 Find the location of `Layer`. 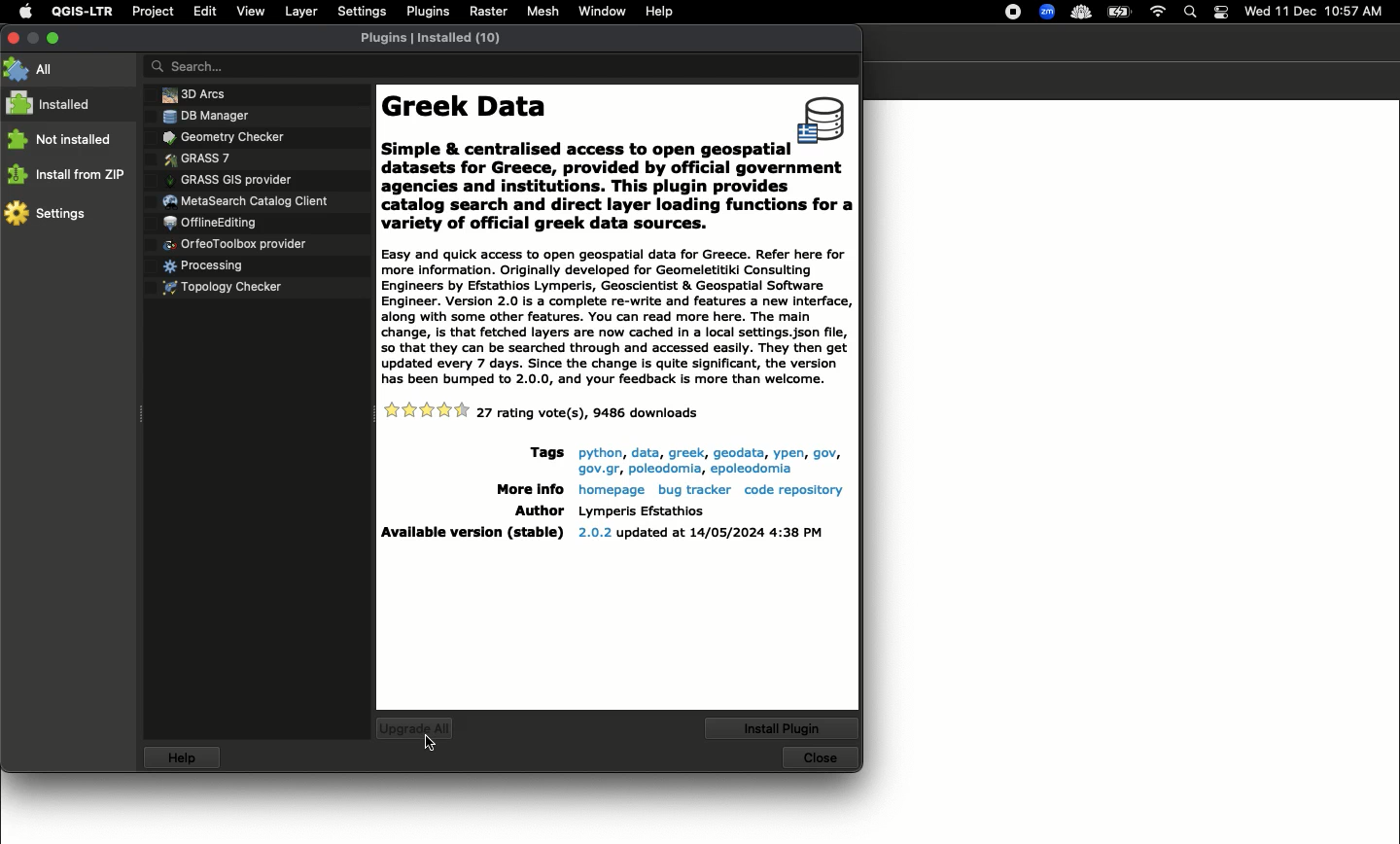

Layer is located at coordinates (300, 12).